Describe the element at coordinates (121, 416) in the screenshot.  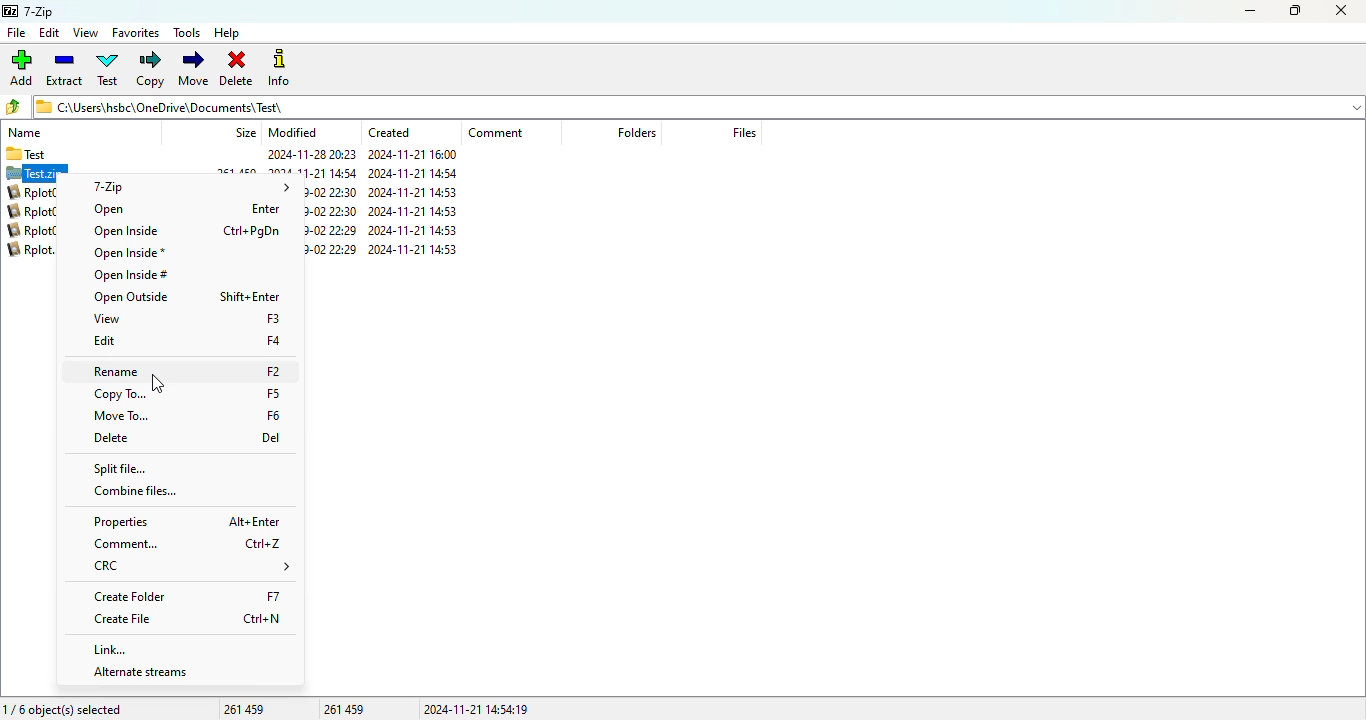
I see `move to` at that location.